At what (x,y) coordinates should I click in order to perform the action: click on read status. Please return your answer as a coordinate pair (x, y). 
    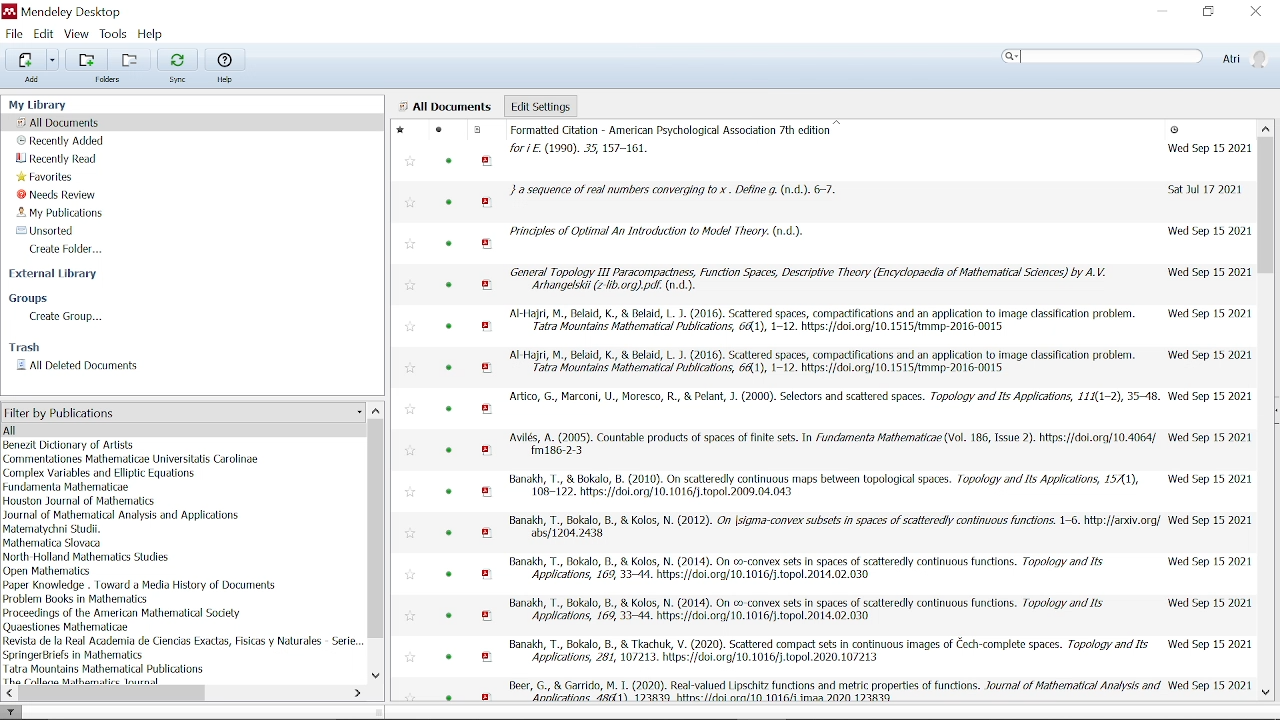
    Looking at the image, I should click on (451, 161).